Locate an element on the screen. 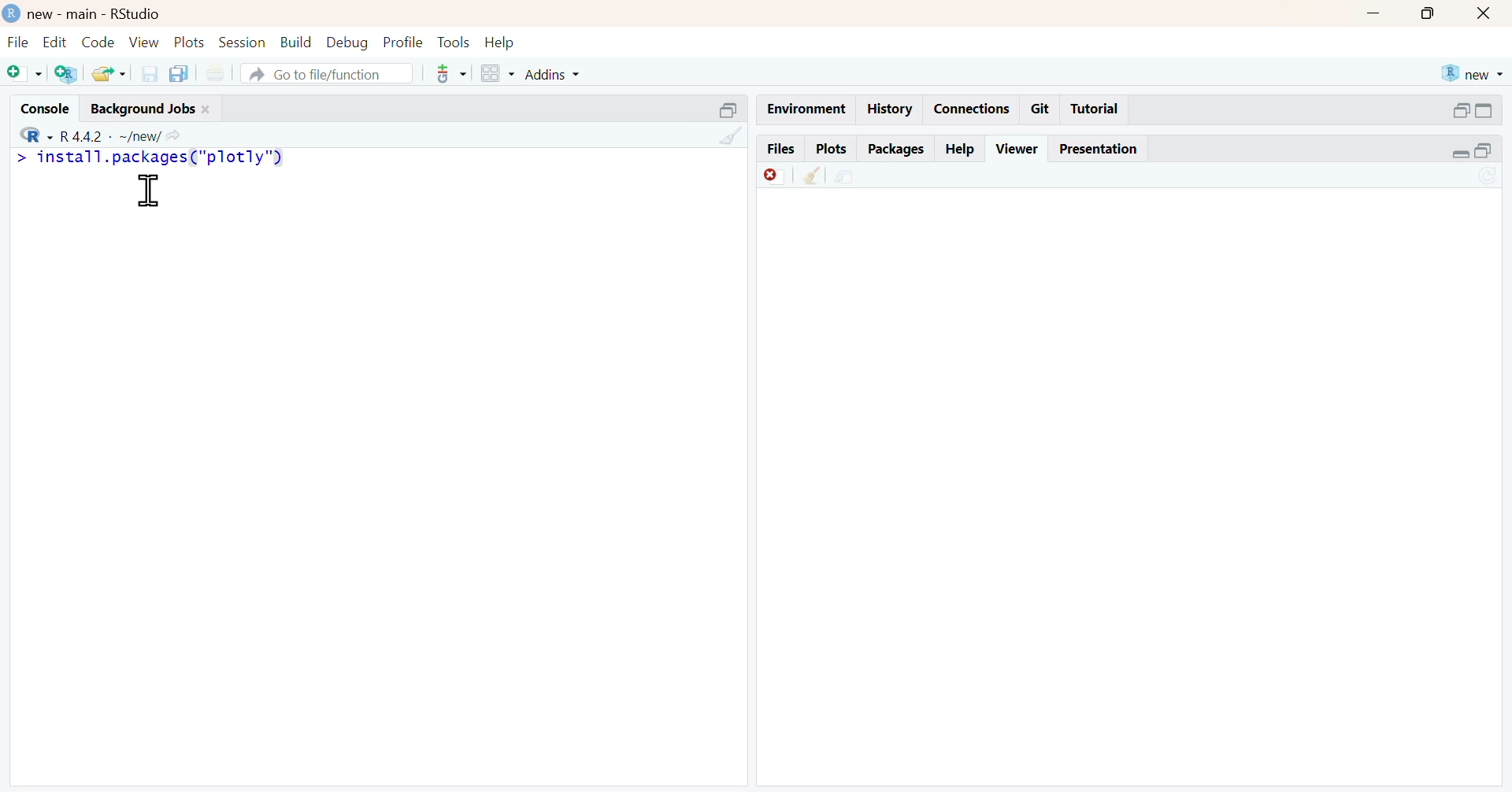 Image resolution: width=1512 pixels, height=792 pixels. empty area is located at coordinates (376, 497).